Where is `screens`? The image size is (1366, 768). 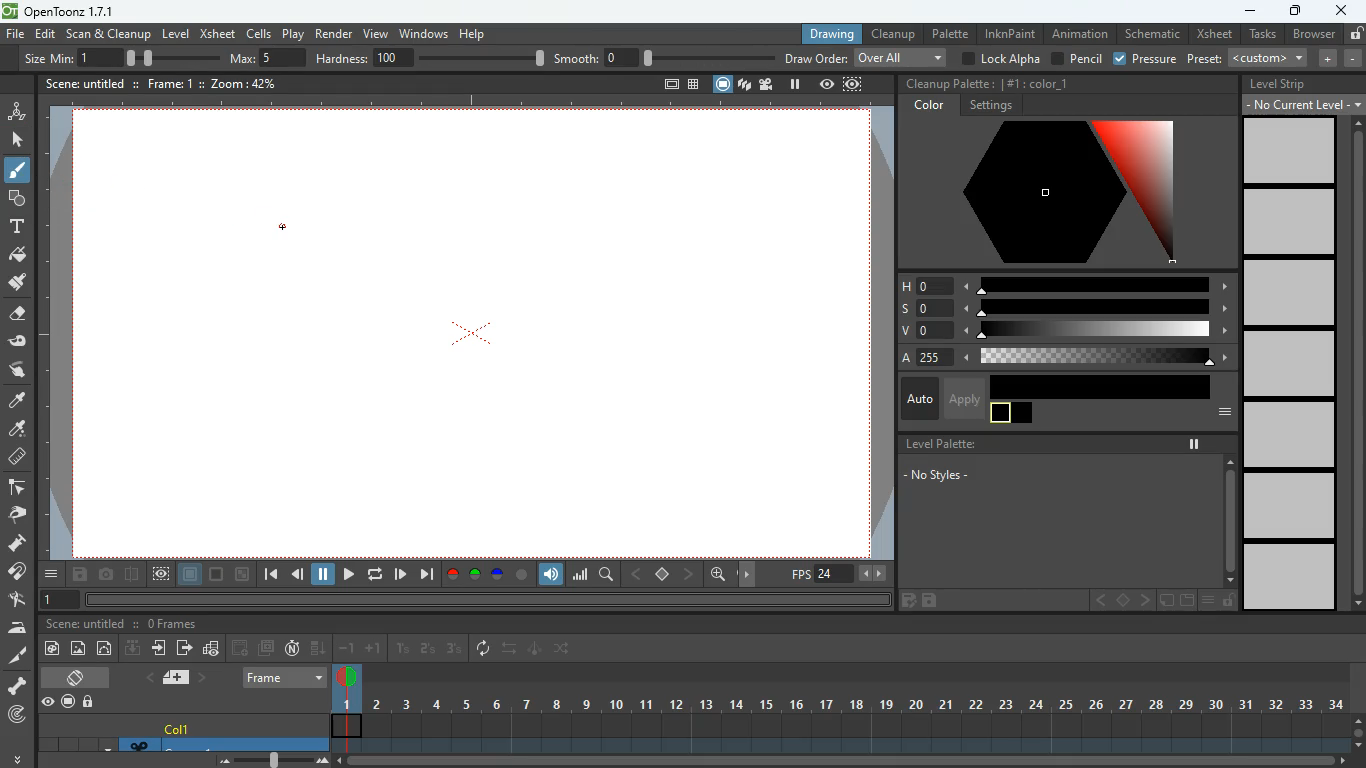 screens is located at coordinates (744, 86).